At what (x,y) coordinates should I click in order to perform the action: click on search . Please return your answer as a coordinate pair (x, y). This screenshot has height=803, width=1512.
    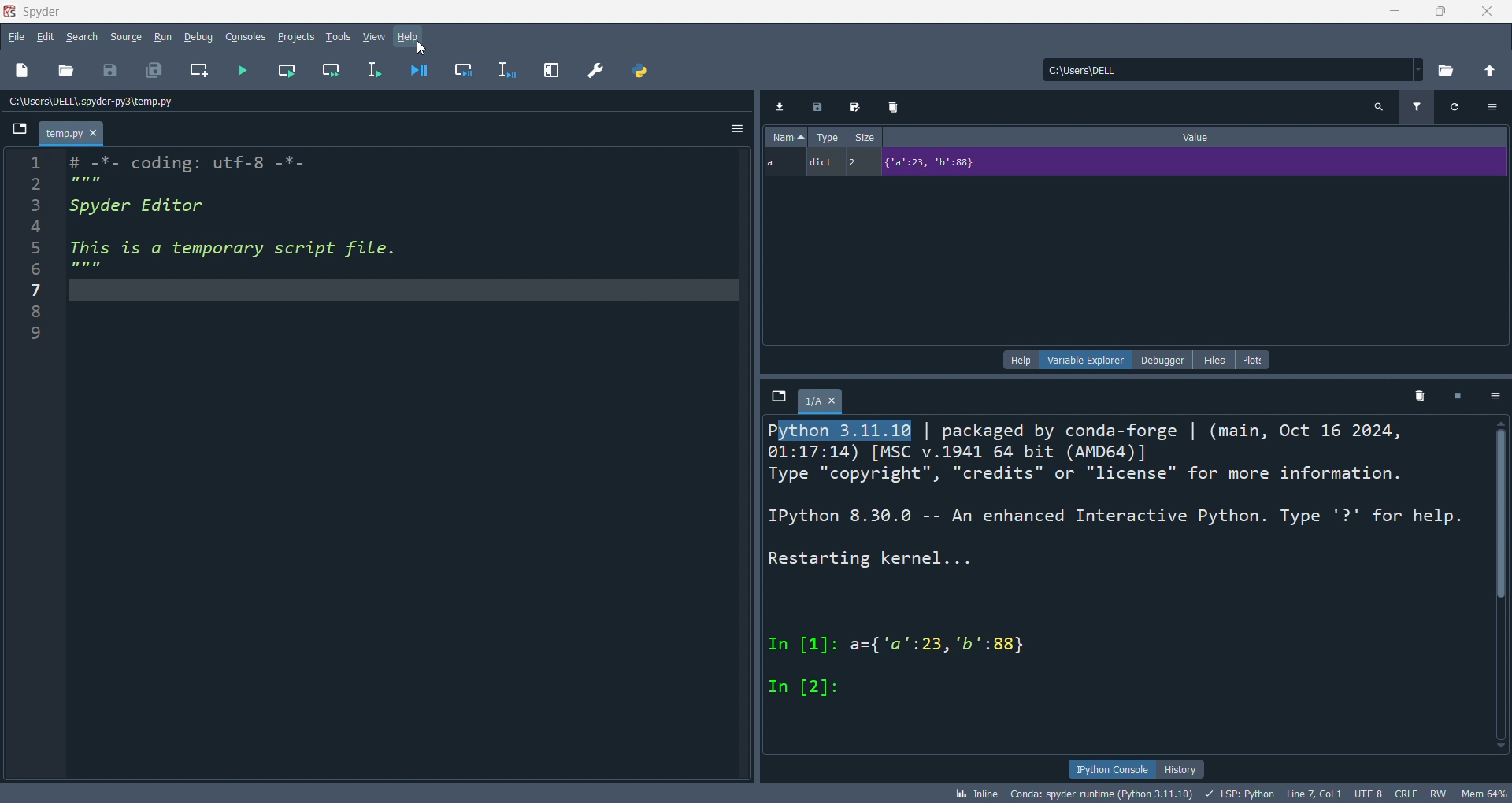
    Looking at the image, I should click on (83, 37).